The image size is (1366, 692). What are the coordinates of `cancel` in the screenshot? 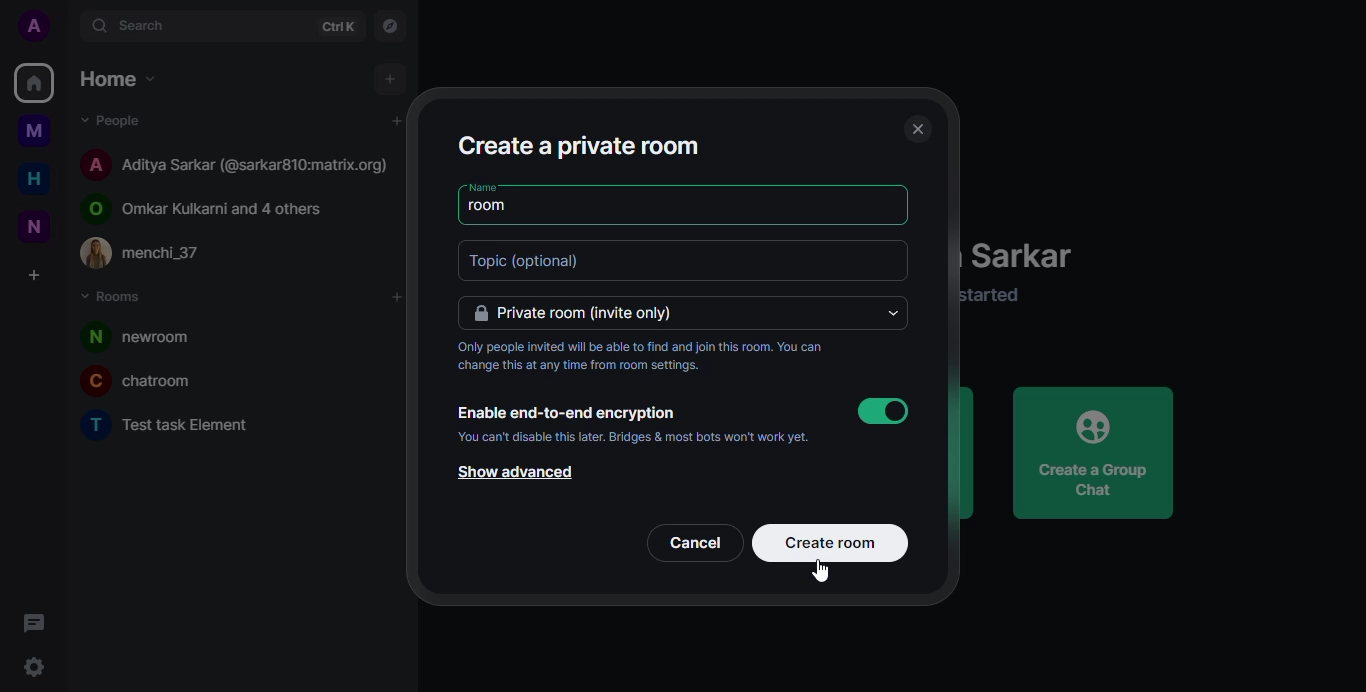 It's located at (697, 544).